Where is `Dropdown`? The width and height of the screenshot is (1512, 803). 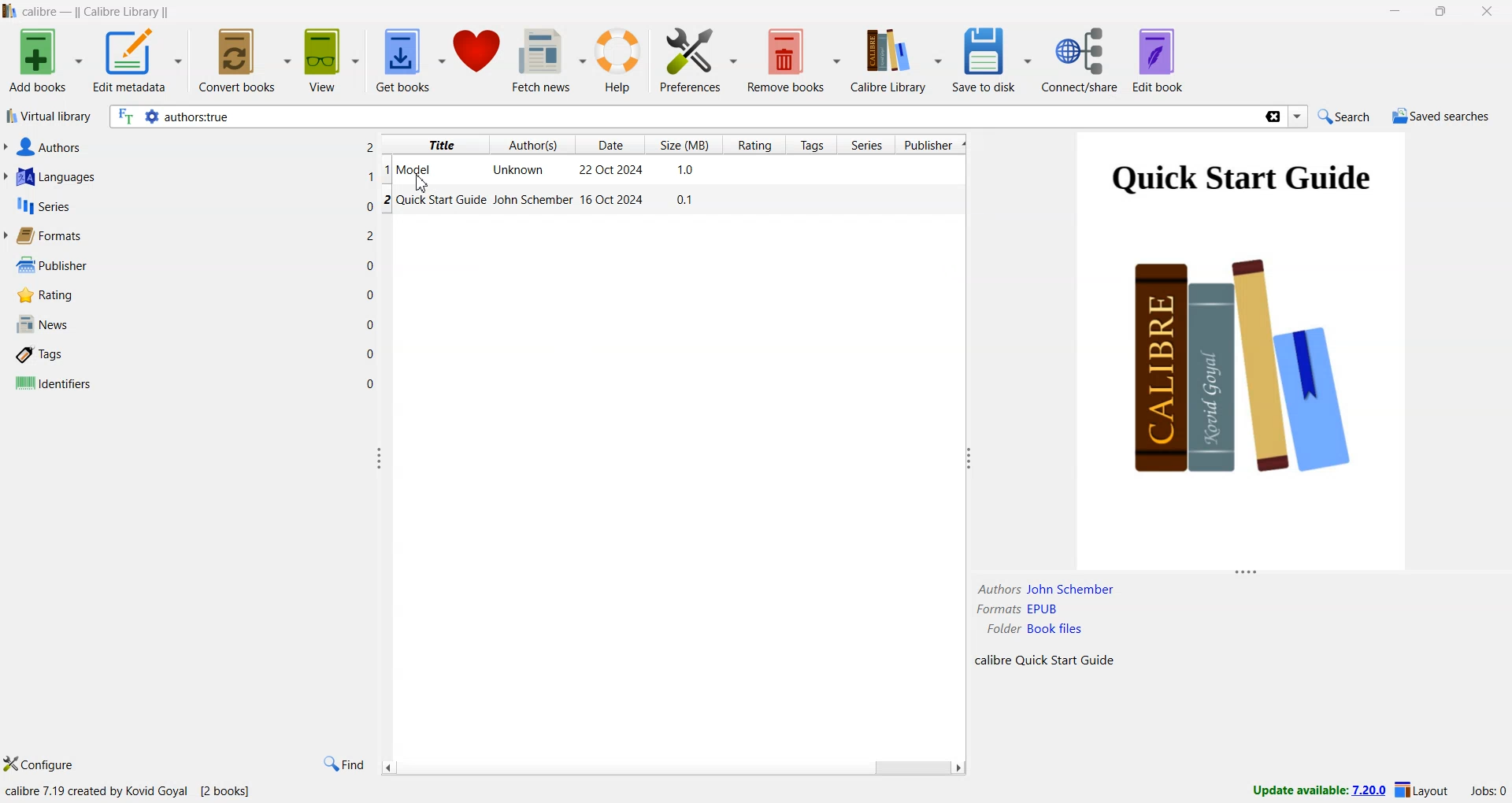
Dropdown is located at coordinates (1299, 117).